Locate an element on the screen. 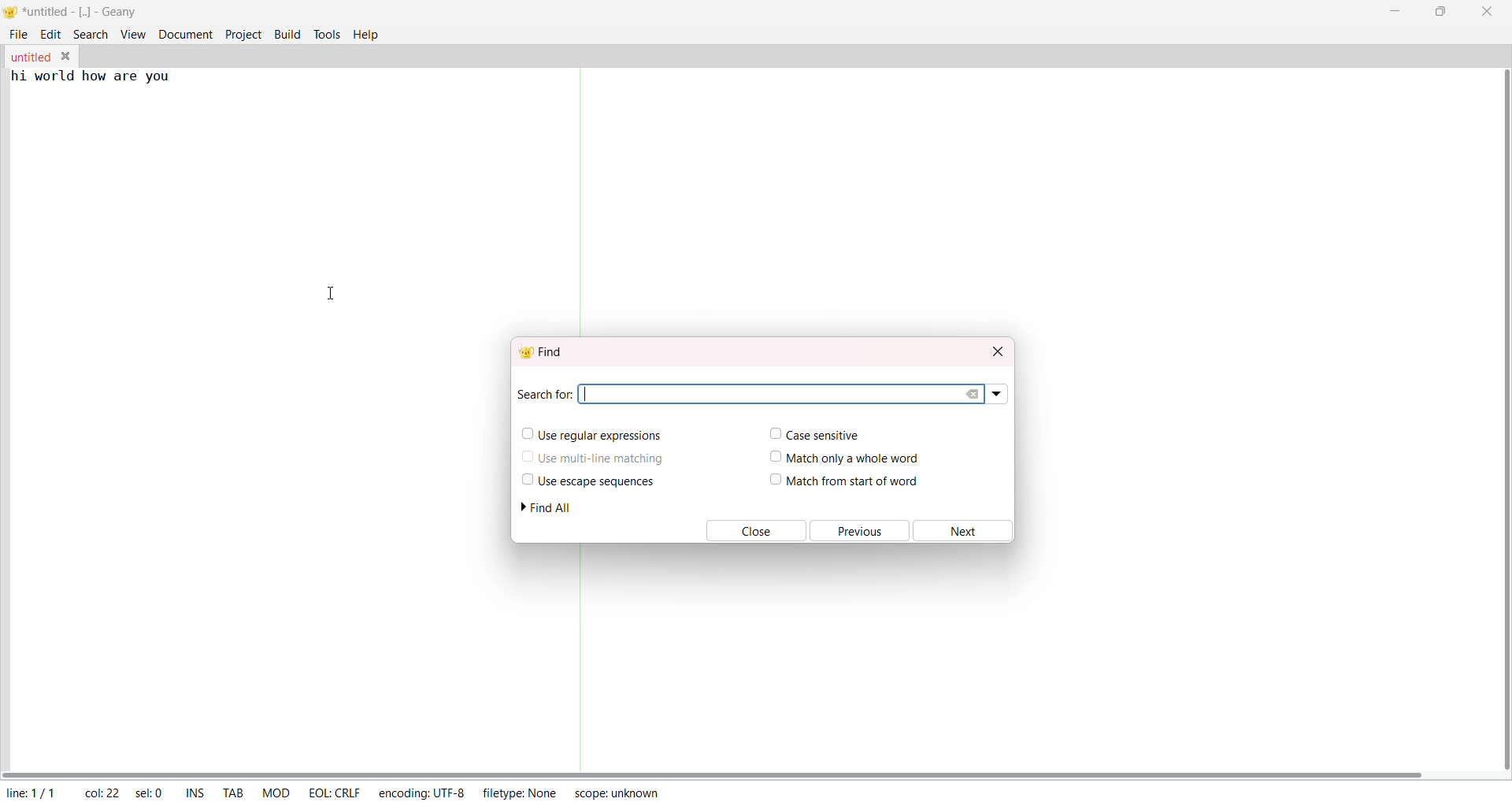  scope: unknown is located at coordinates (613, 792).